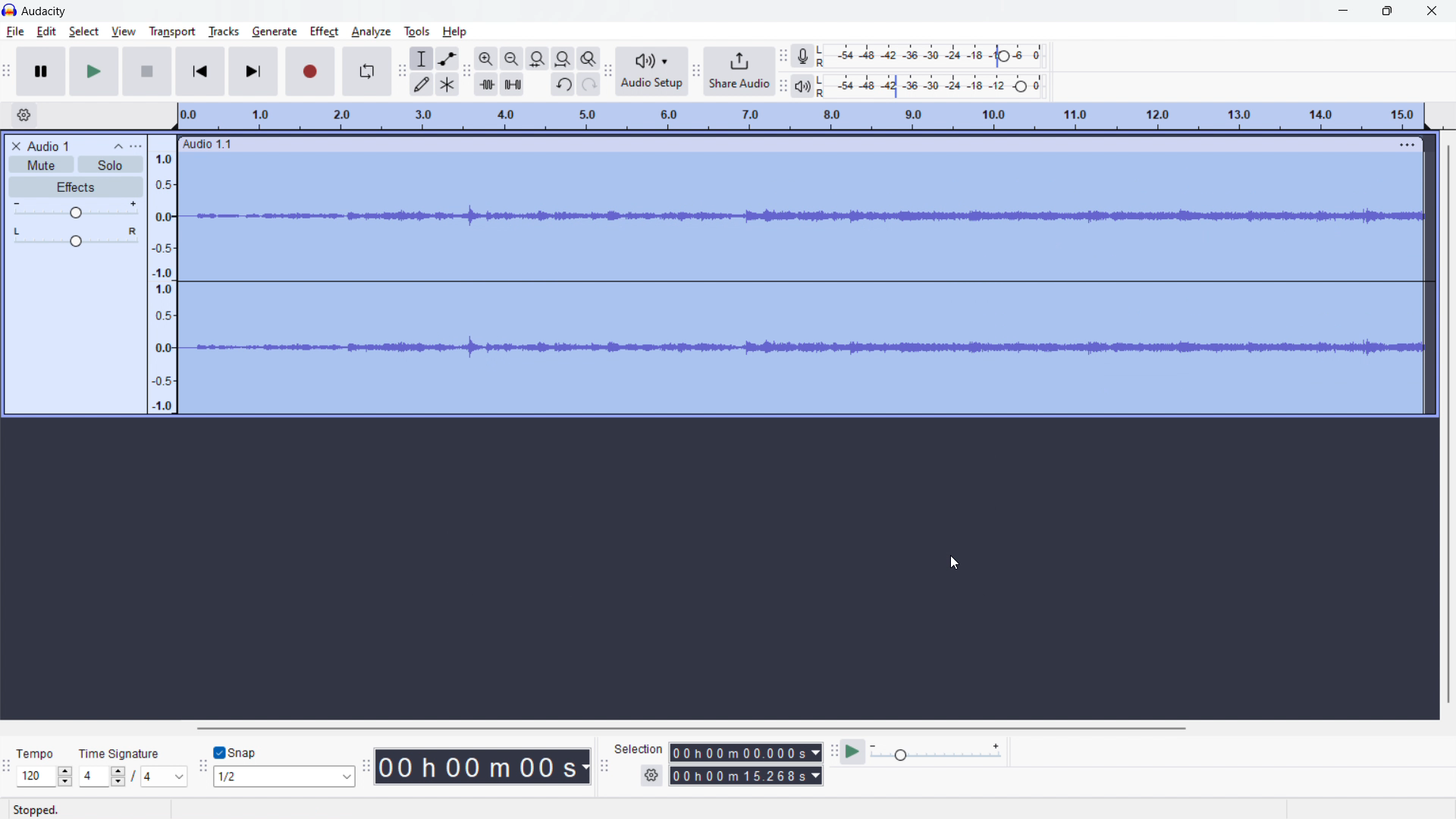  I want to click on time toolbar, so click(366, 768).